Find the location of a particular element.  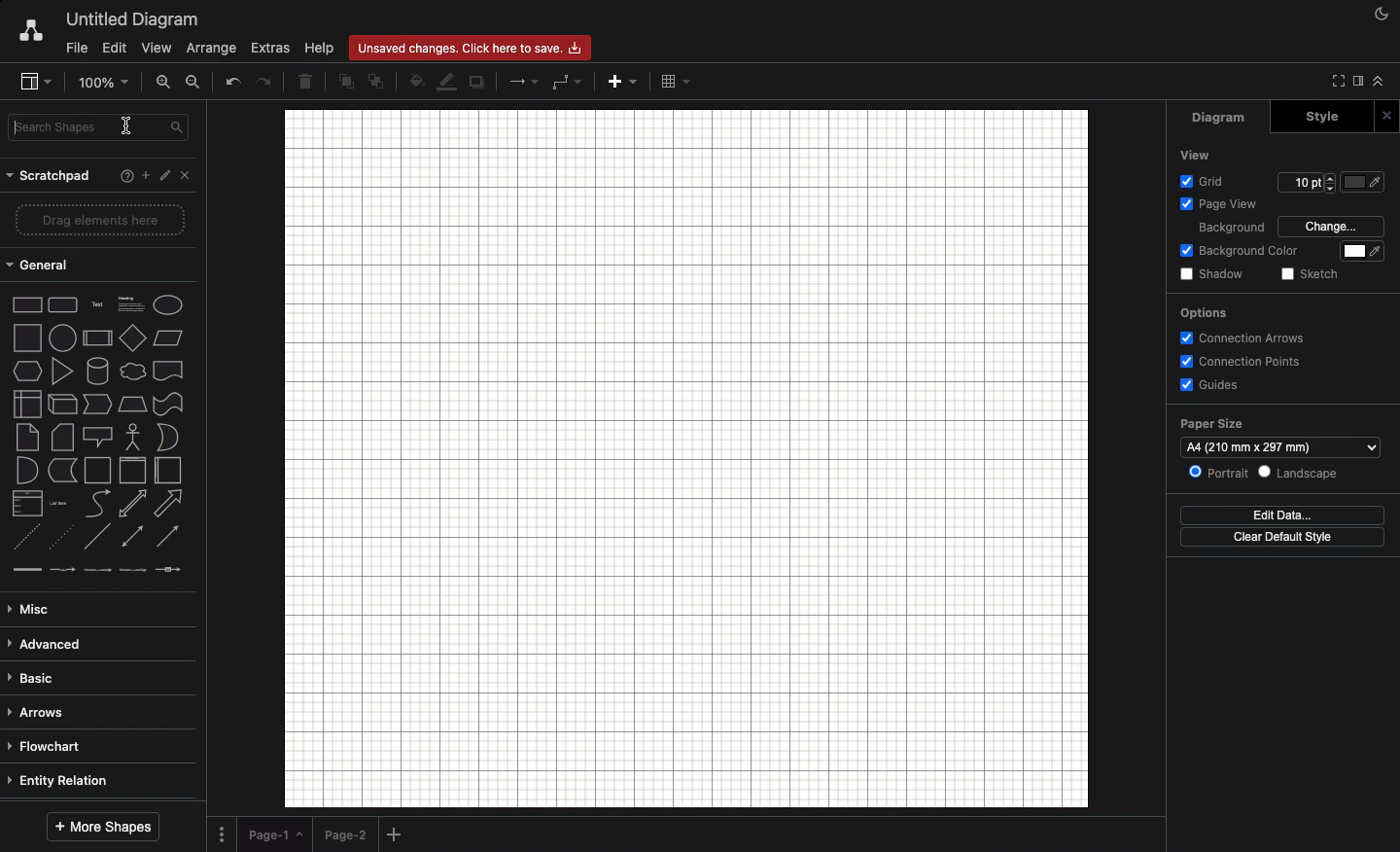

Page 2 is located at coordinates (344, 834).